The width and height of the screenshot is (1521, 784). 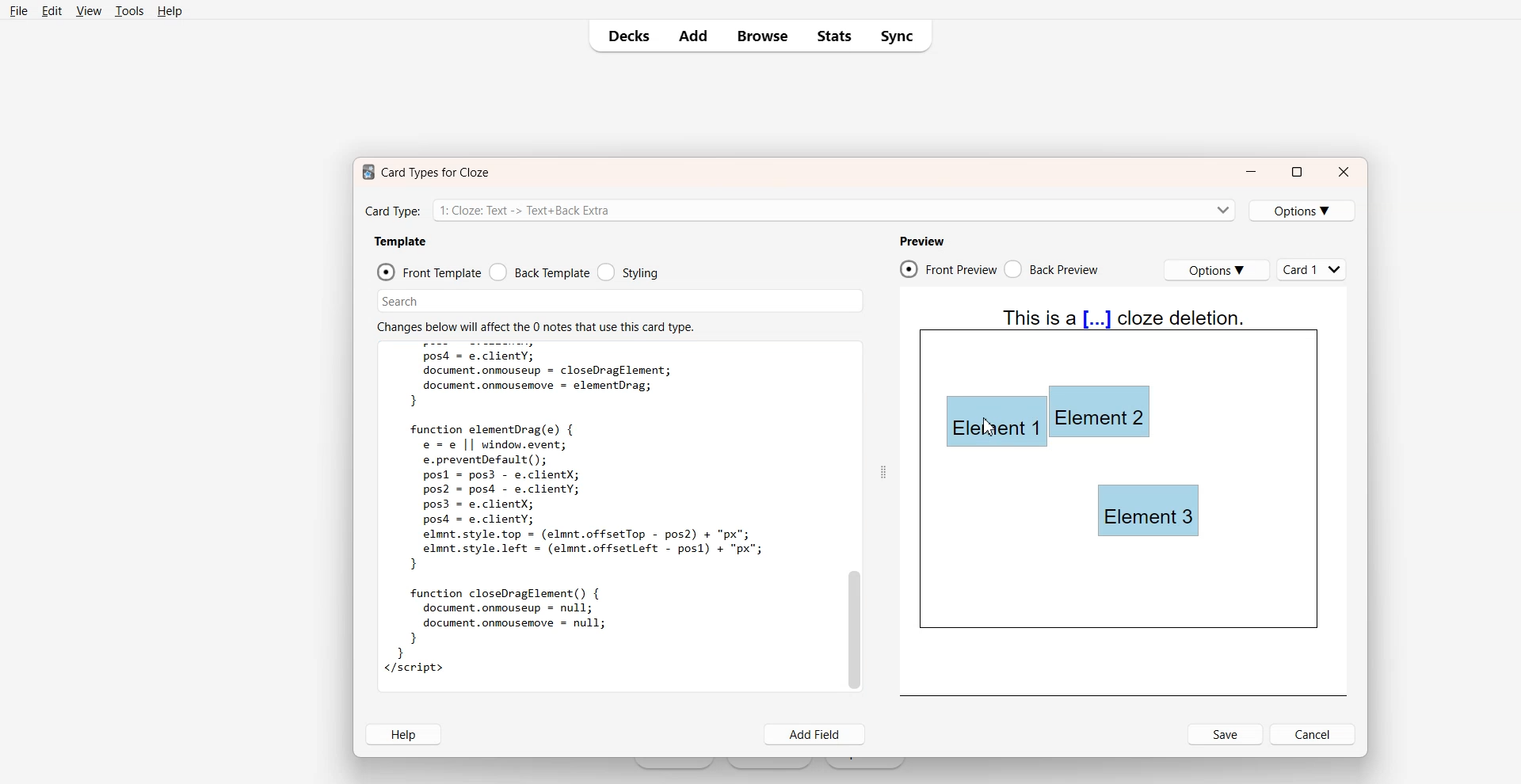 What do you see at coordinates (422, 172) in the screenshot?
I see `Text 1` at bounding box center [422, 172].